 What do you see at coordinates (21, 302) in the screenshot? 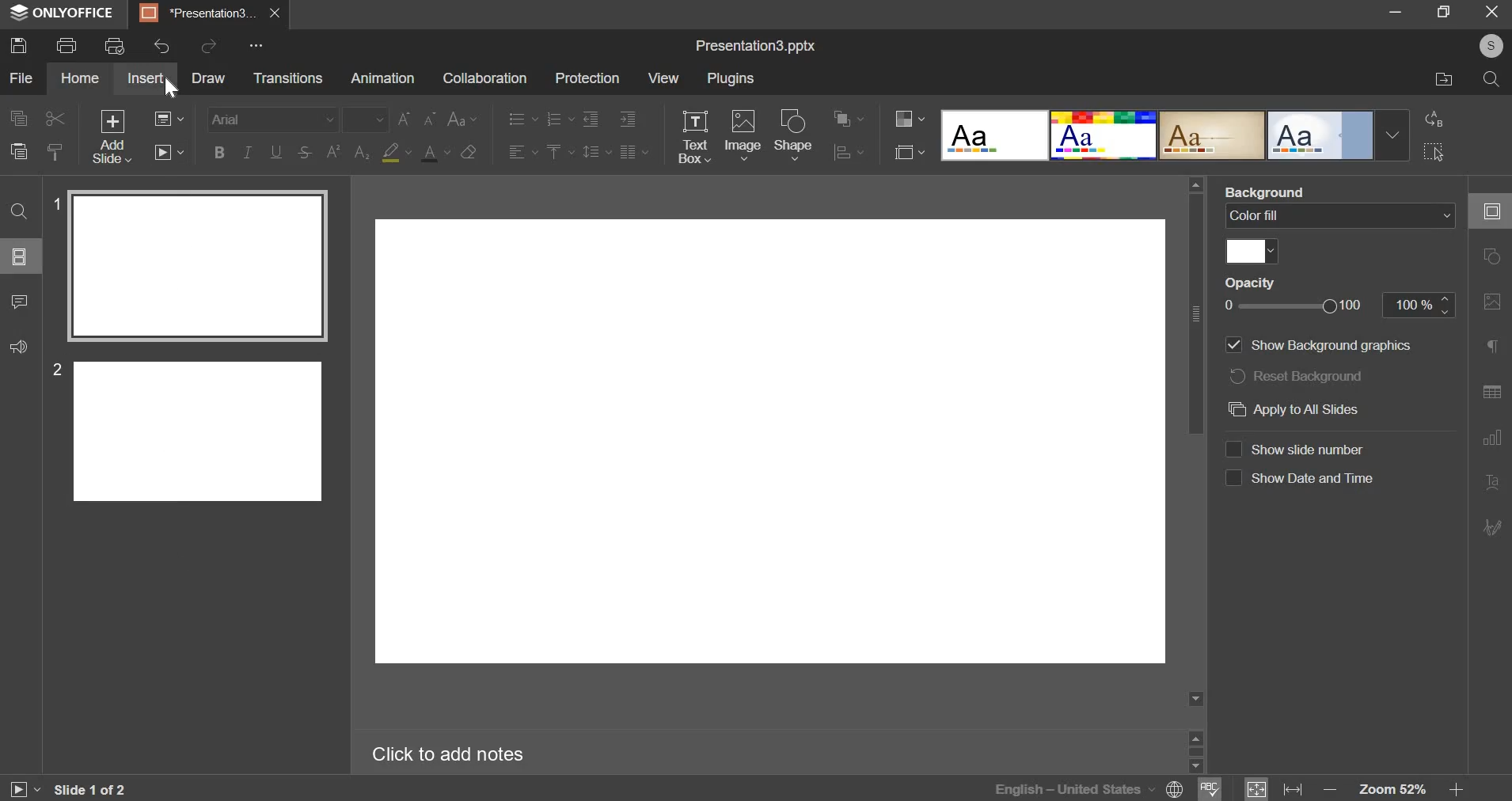
I see `comment` at bounding box center [21, 302].